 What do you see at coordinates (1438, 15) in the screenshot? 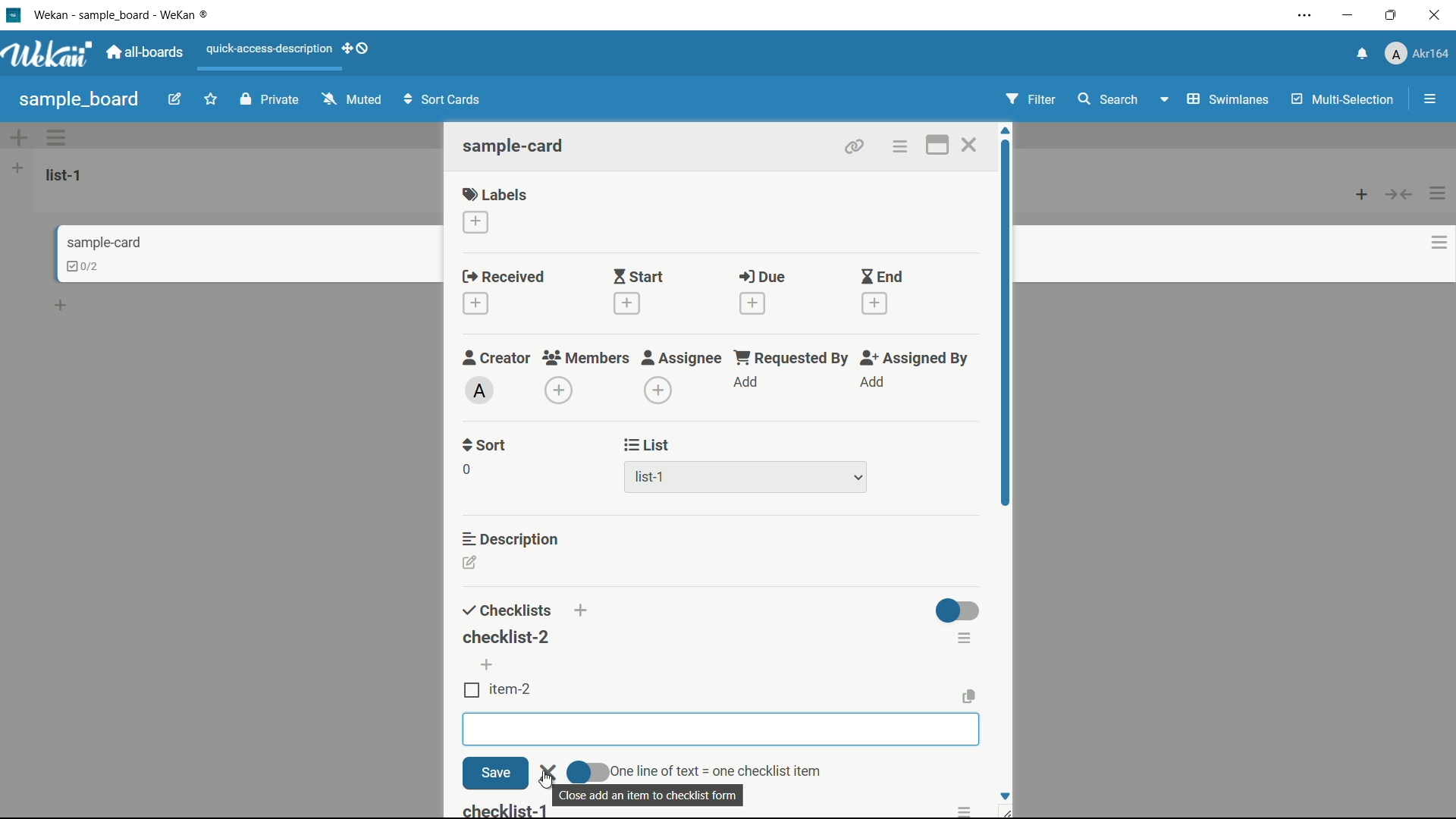
I see `close app` at bounding box center [1438, 15].